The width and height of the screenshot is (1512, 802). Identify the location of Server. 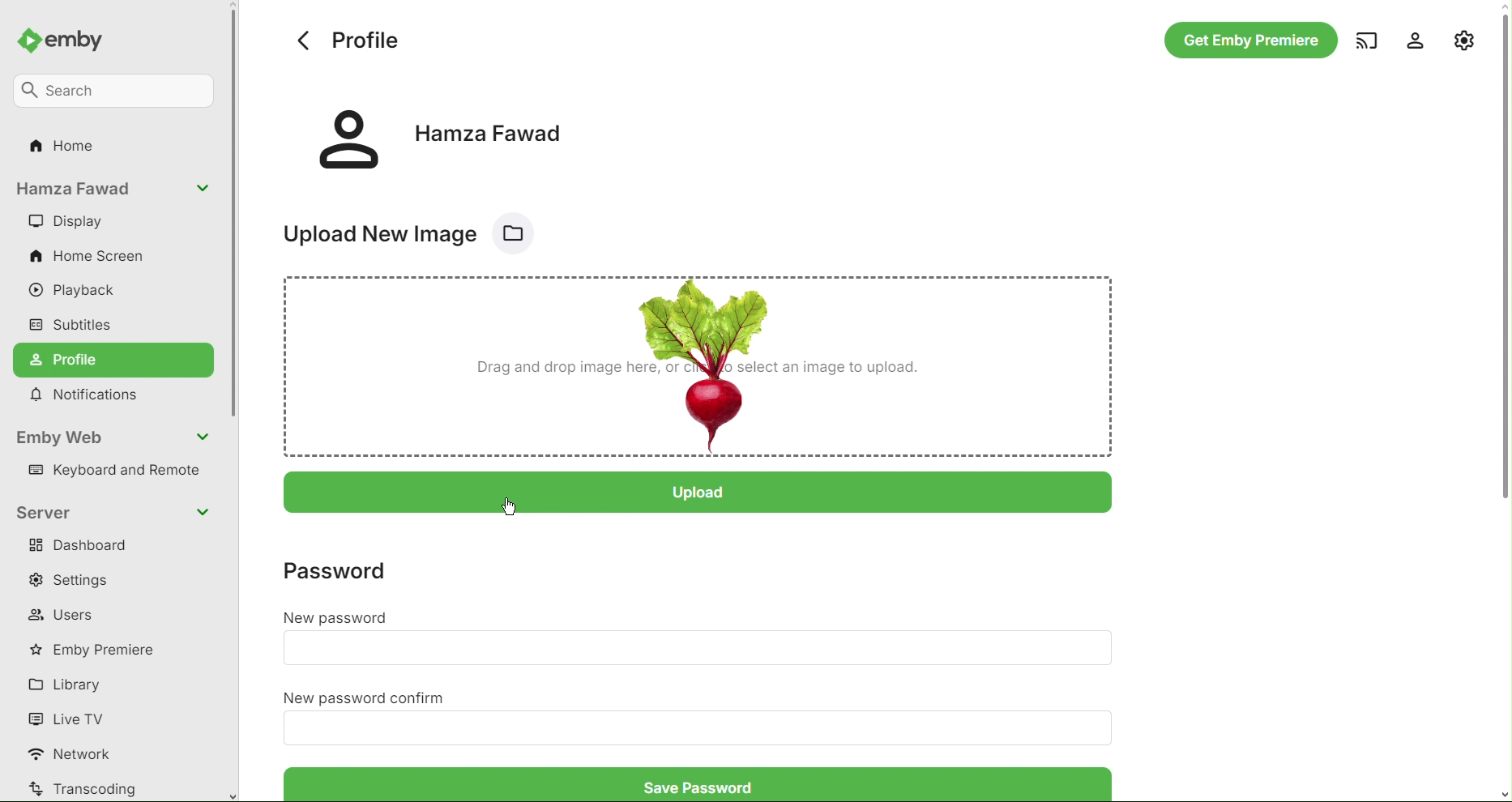
(115, 511).